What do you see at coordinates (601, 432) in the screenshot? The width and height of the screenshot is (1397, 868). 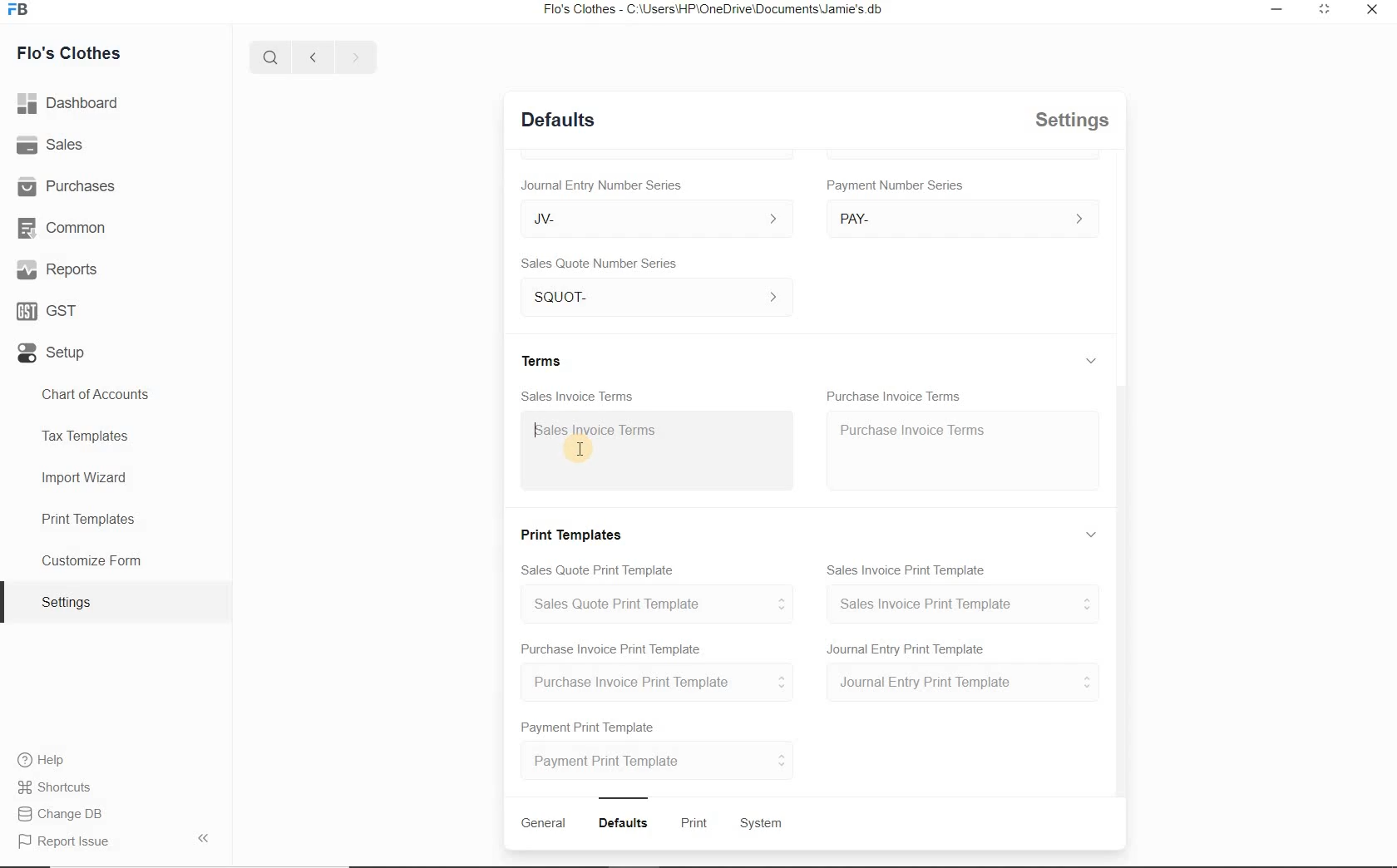 I see `Sales invoice Terms` at bounding box center [601, 432].